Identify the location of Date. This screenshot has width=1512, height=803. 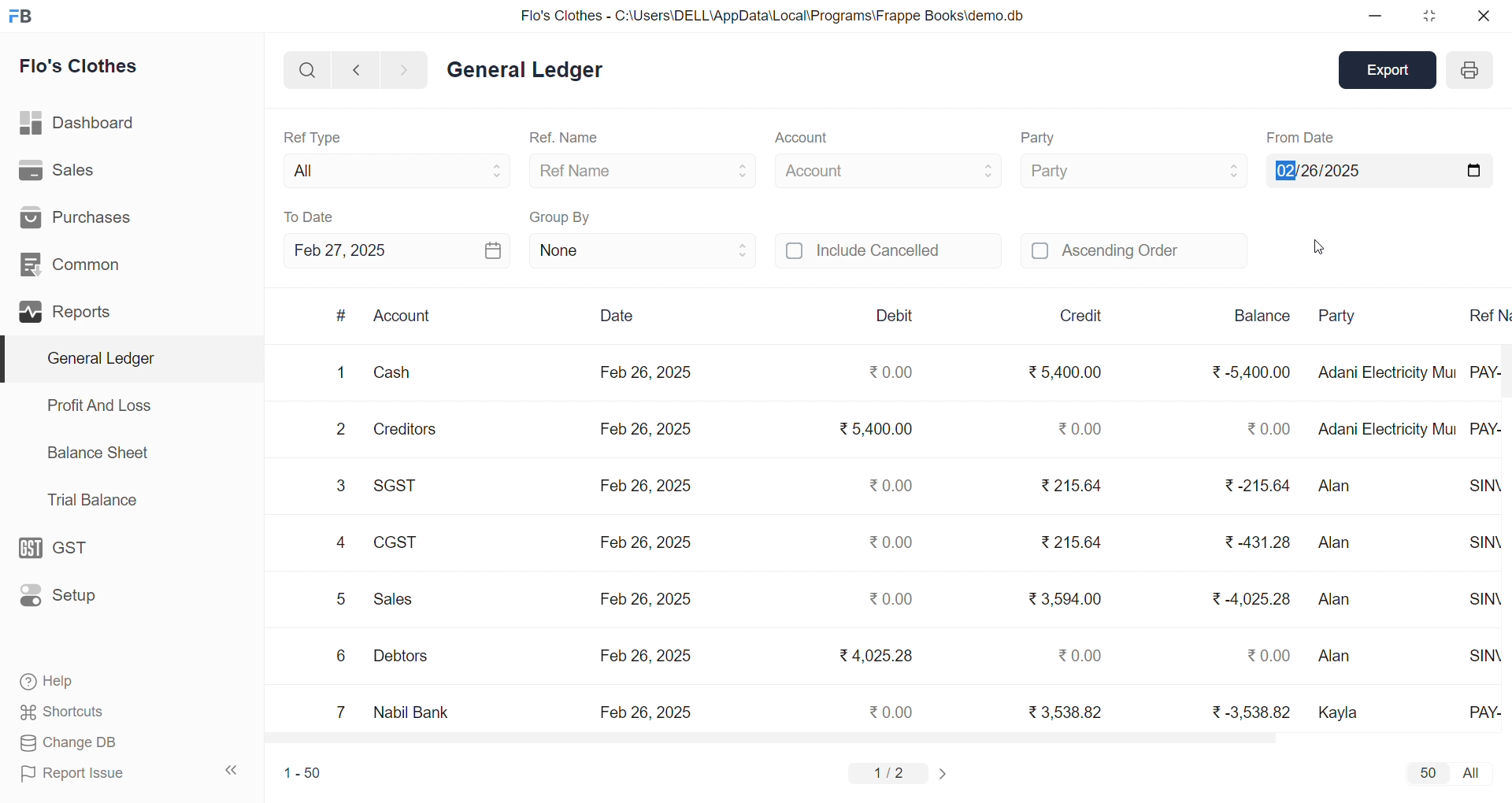
(616, 316).